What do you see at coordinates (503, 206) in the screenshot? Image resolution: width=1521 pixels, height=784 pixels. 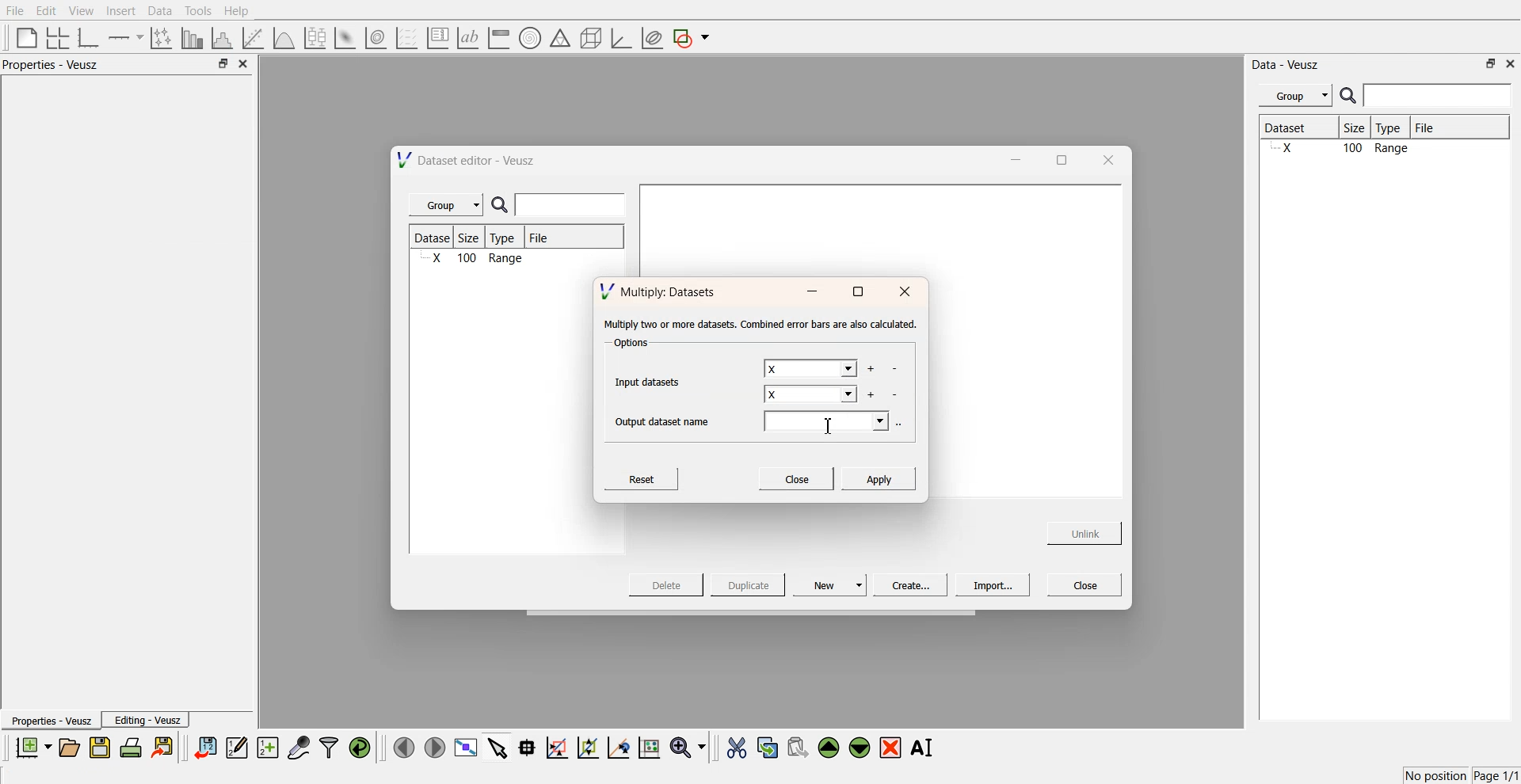 I see `search icon` at bounding box center [503, 206].